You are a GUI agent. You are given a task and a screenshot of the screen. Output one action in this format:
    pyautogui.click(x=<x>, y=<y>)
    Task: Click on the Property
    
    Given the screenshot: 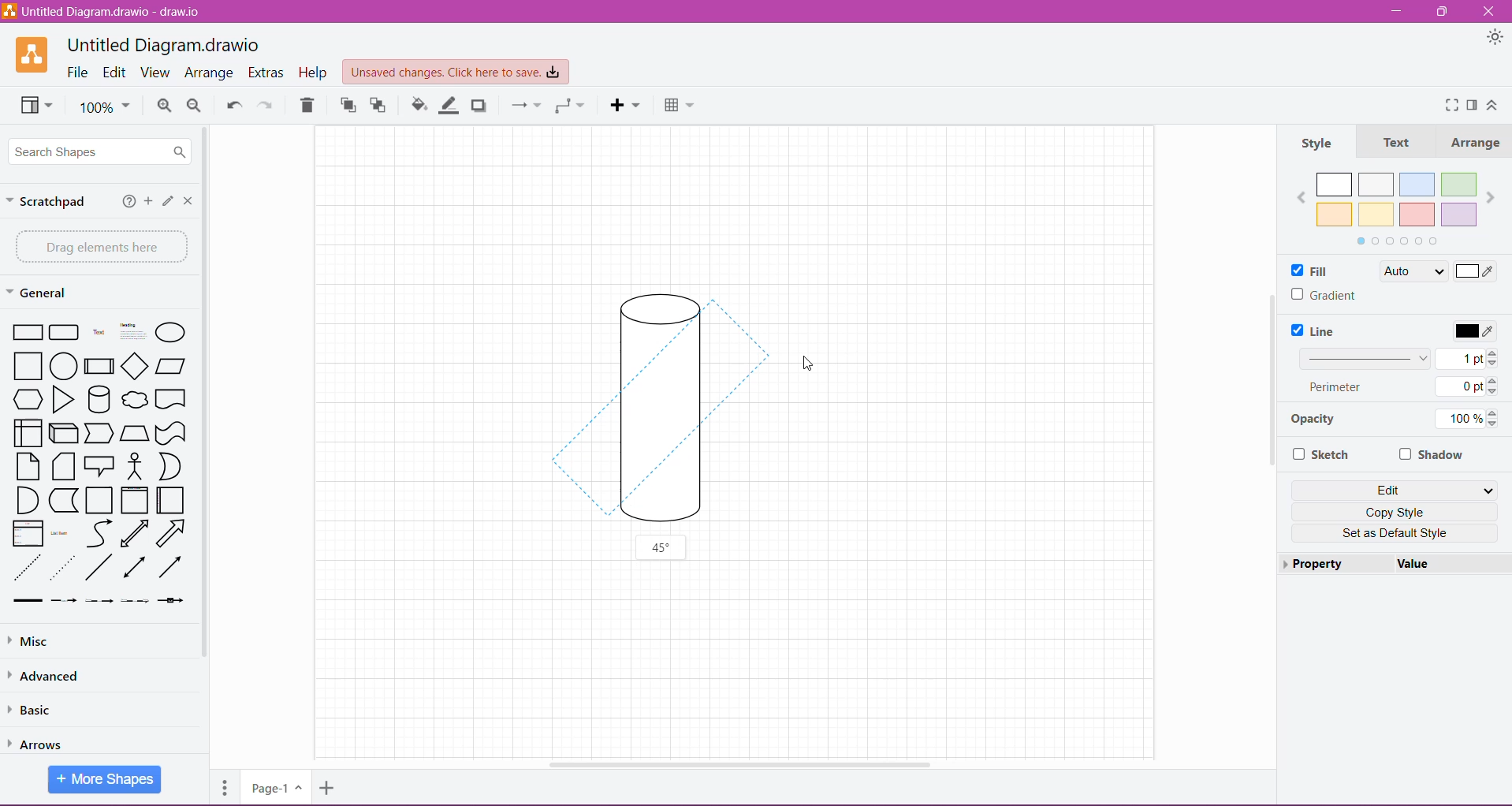 What is the action you would take?
    pyautogui.click(x=1319, y=565)
    